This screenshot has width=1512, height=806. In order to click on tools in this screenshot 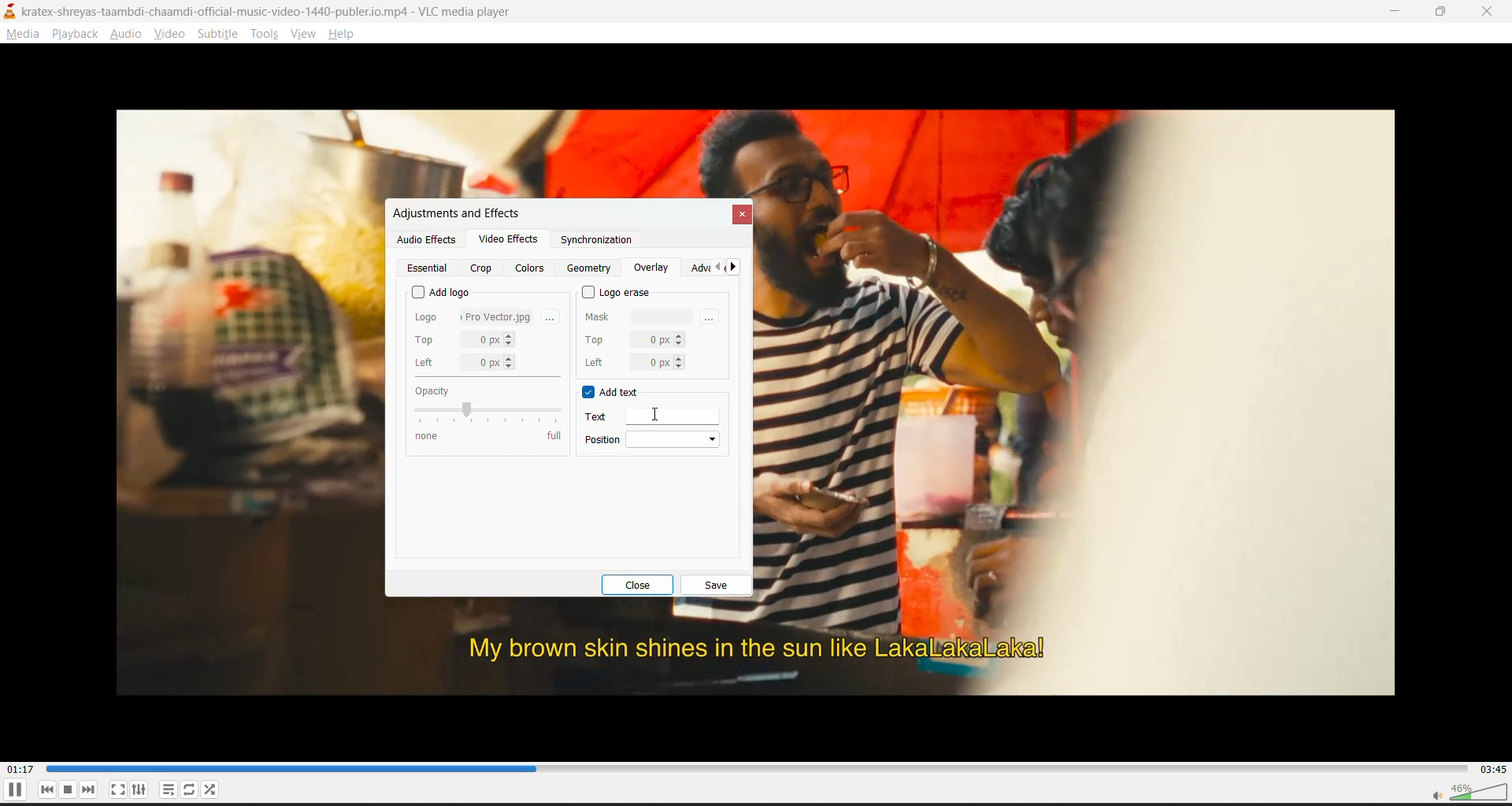, I will do `click(262, 35)`.